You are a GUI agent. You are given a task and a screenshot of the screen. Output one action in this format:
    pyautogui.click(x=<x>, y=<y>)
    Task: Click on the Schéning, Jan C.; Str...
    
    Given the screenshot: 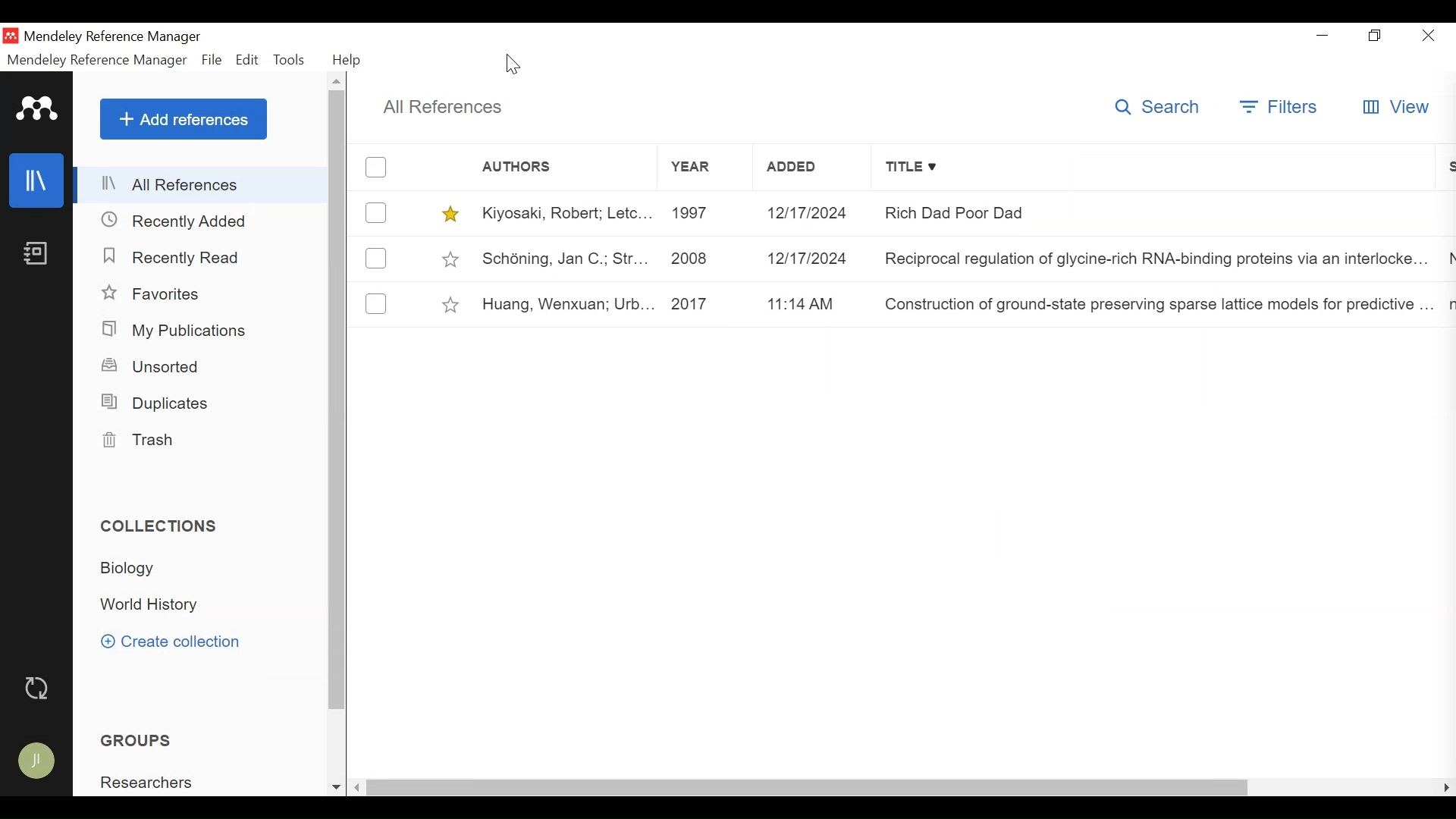 What is the action you would take?
    pyautogui.click(x=558, y=256)
    